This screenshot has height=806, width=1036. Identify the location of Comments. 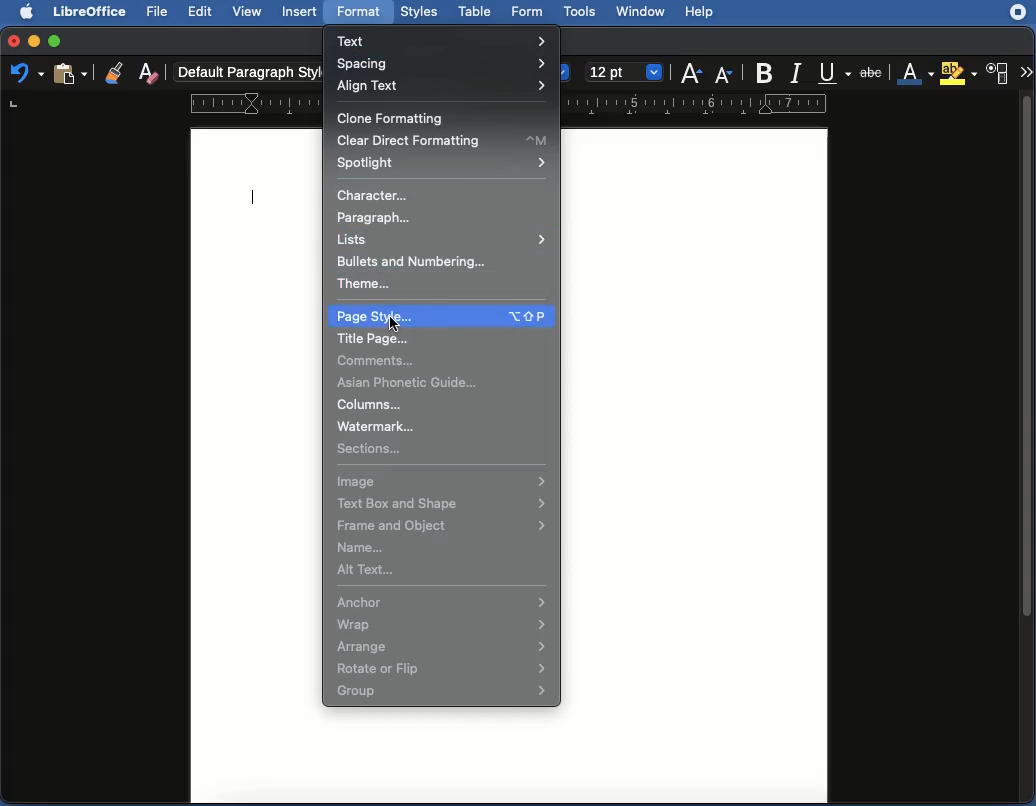
(379, 361).